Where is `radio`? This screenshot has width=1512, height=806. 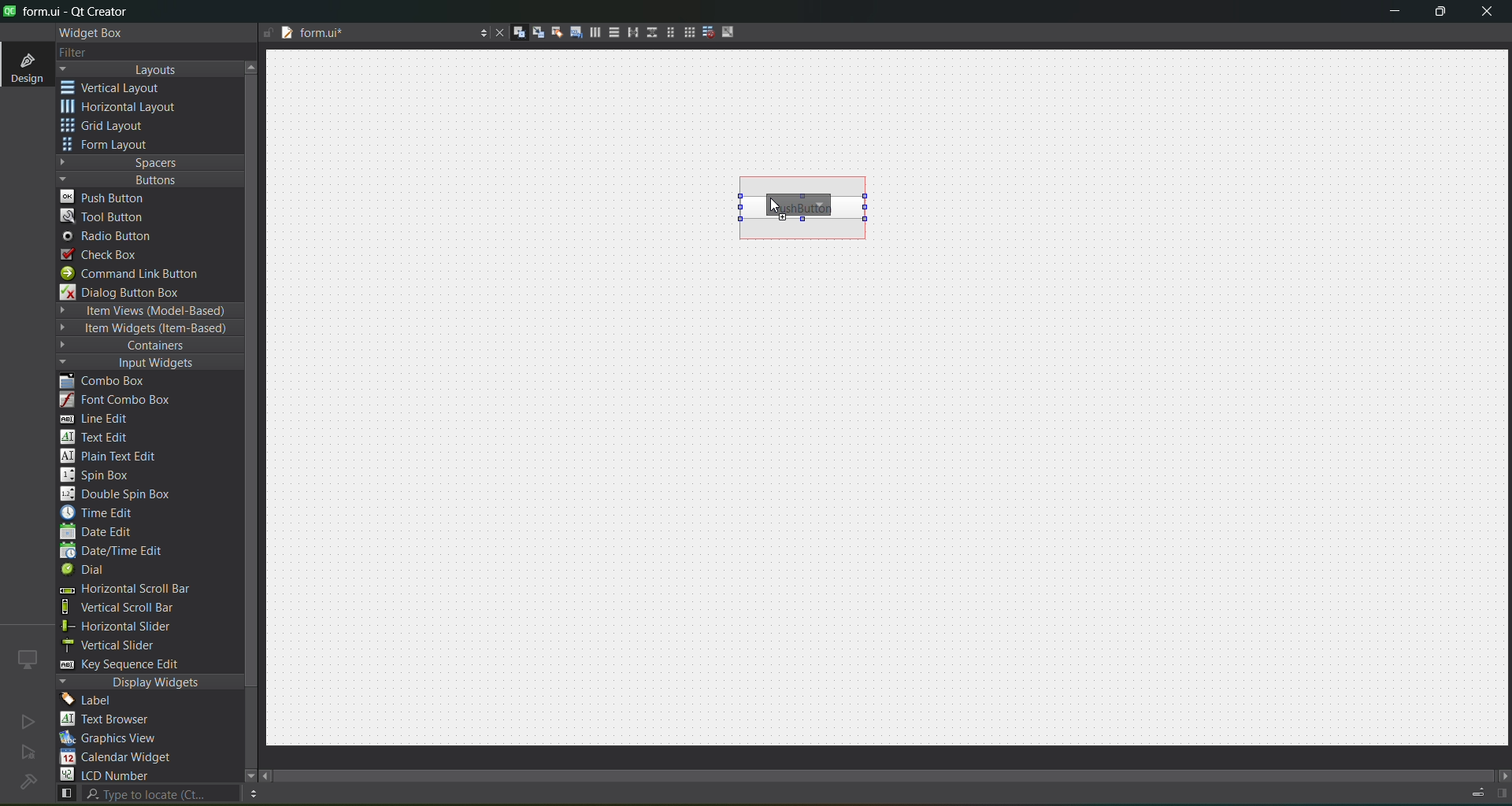
radio is located at coordinates (112, 237).